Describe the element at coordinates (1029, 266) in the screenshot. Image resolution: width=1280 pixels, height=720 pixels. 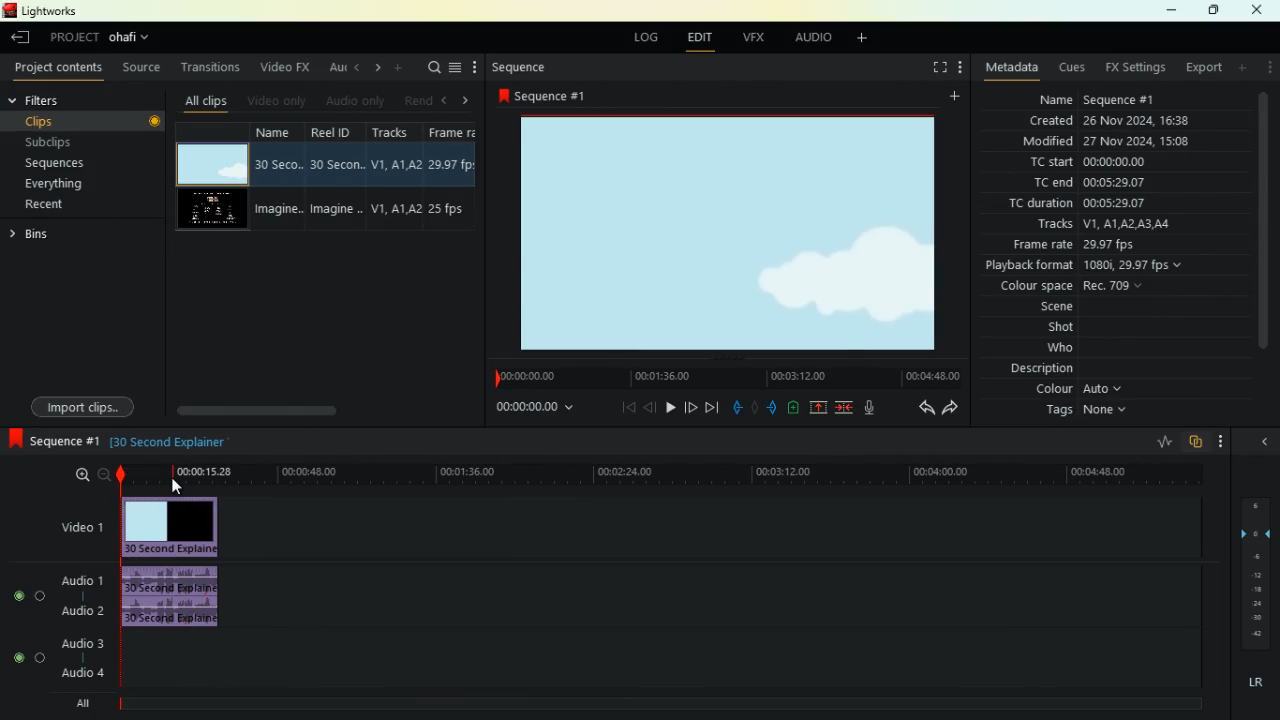
I see `playback format` at that location.